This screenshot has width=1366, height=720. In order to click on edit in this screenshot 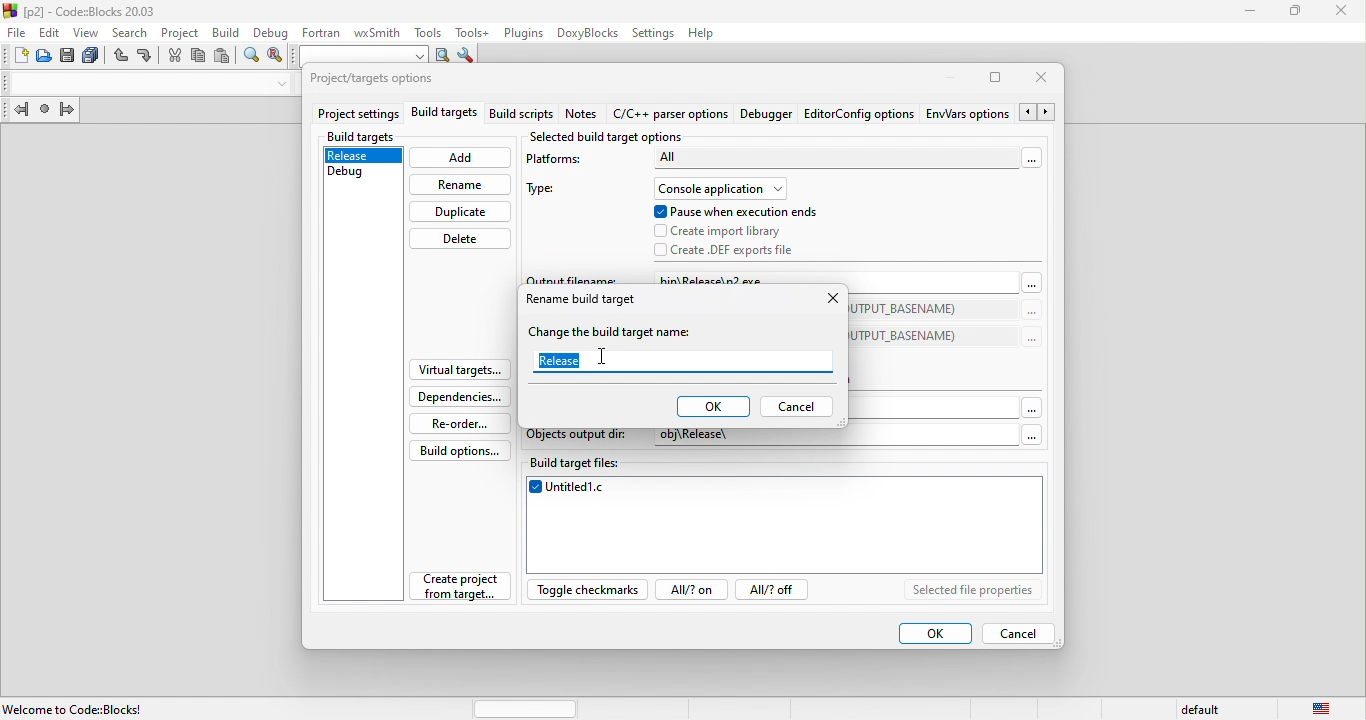, I will do `click(50, 32)`.